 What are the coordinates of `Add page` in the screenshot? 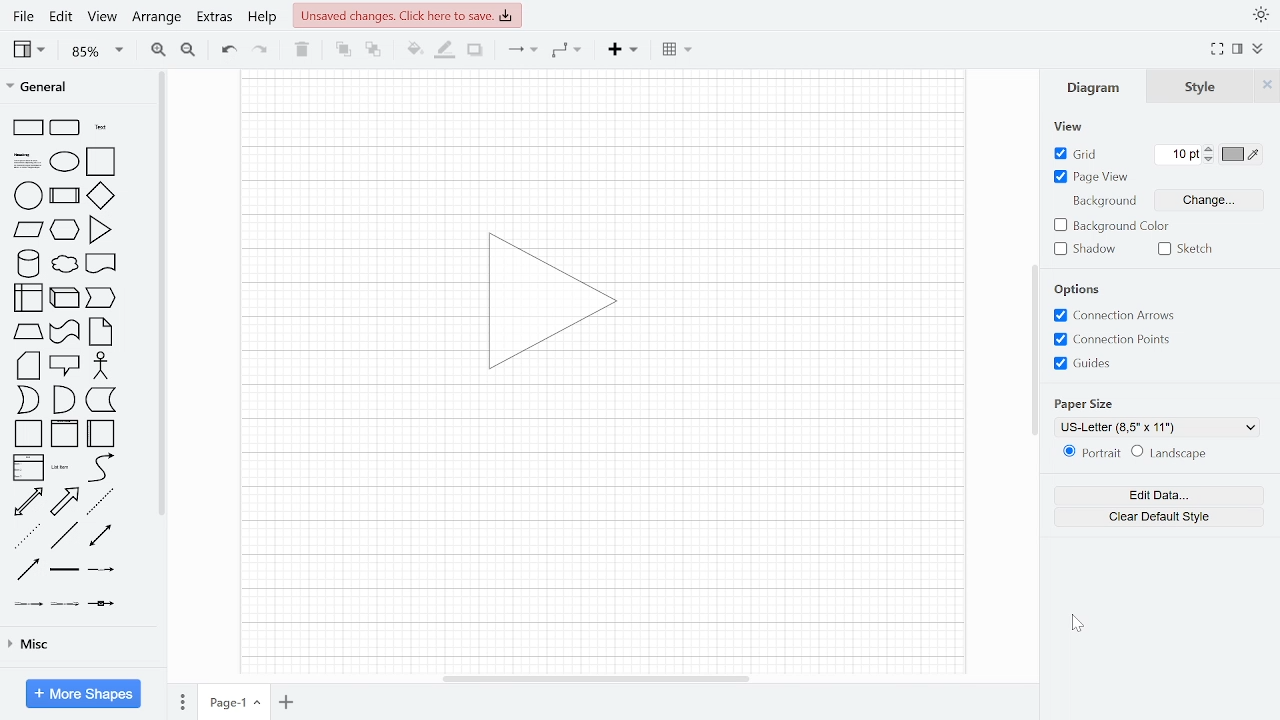 It's located at (286, 702).